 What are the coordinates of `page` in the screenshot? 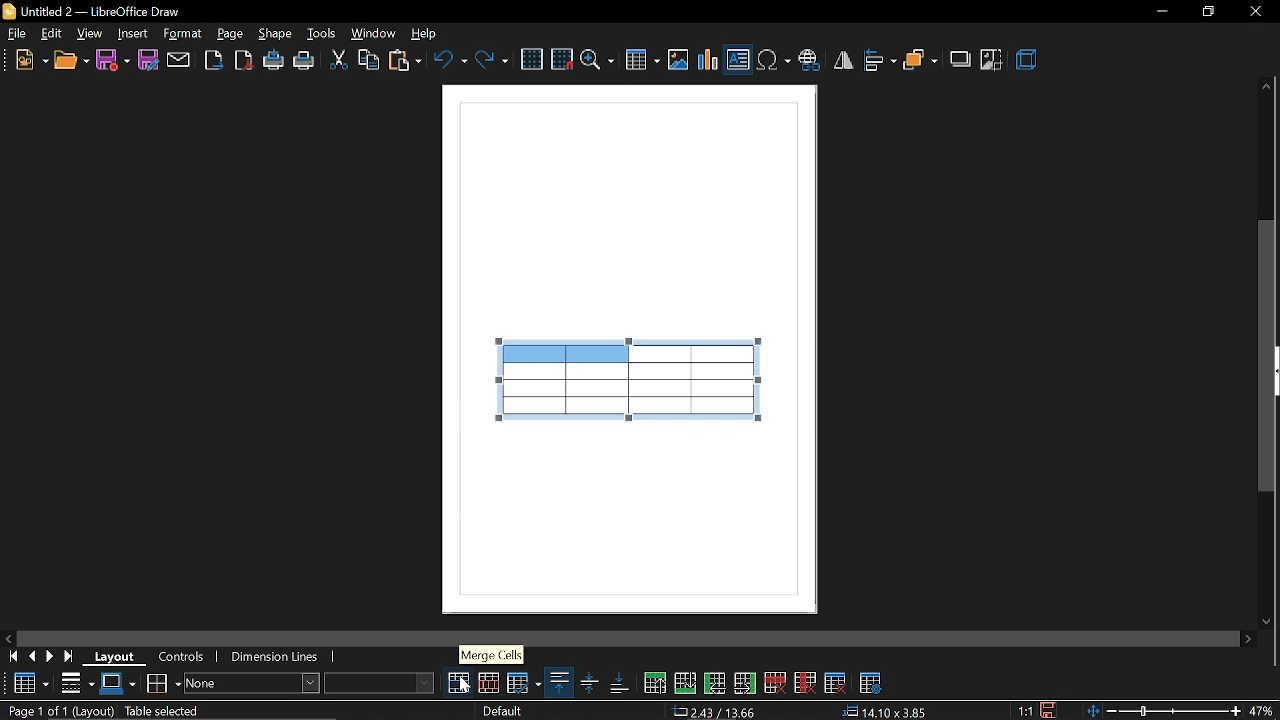 It's located at (230, 30).